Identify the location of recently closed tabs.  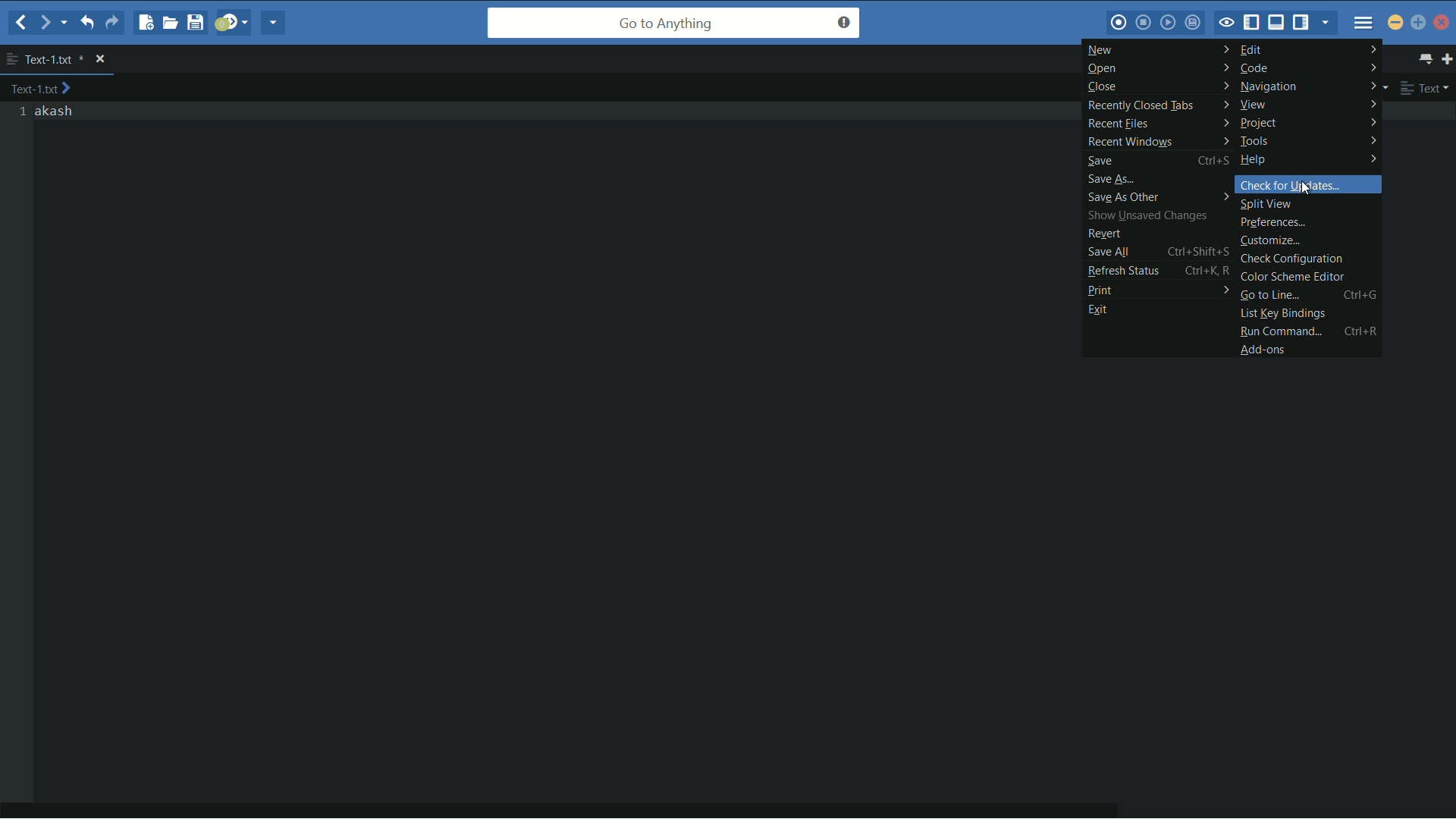
(1160, 105).